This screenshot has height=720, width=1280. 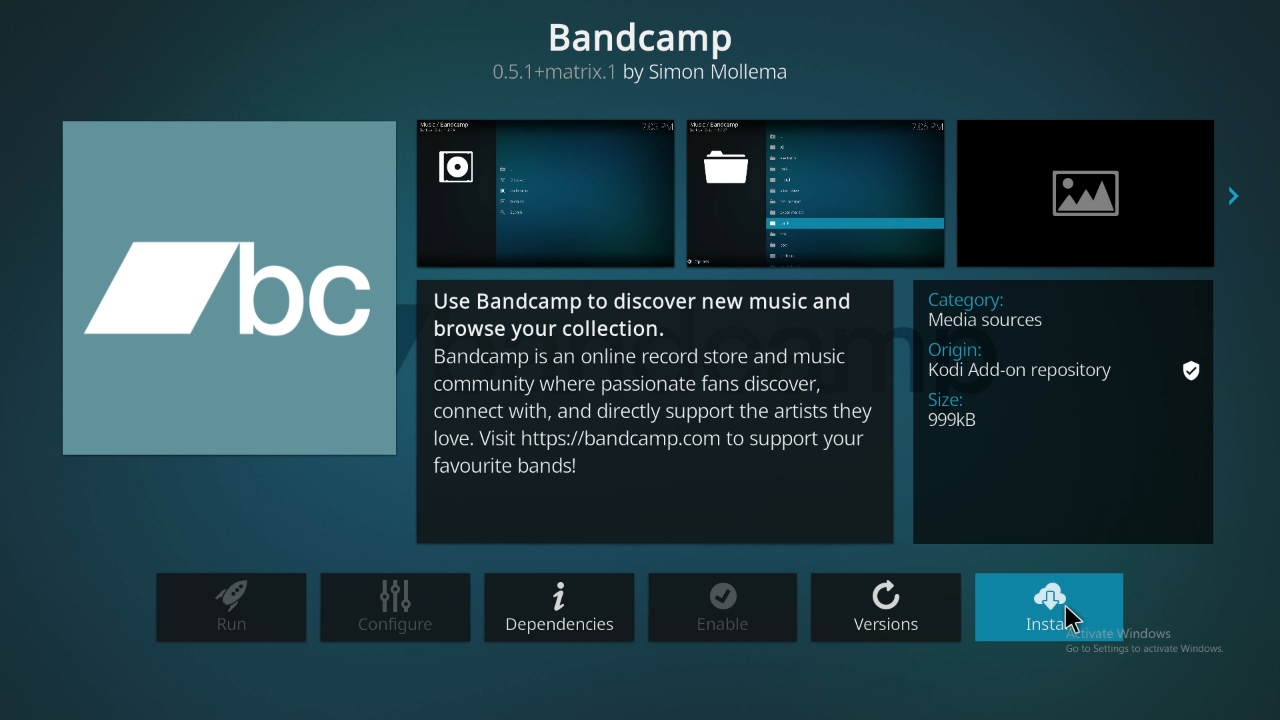 I want to click on versions, so click(x=888, y=602).